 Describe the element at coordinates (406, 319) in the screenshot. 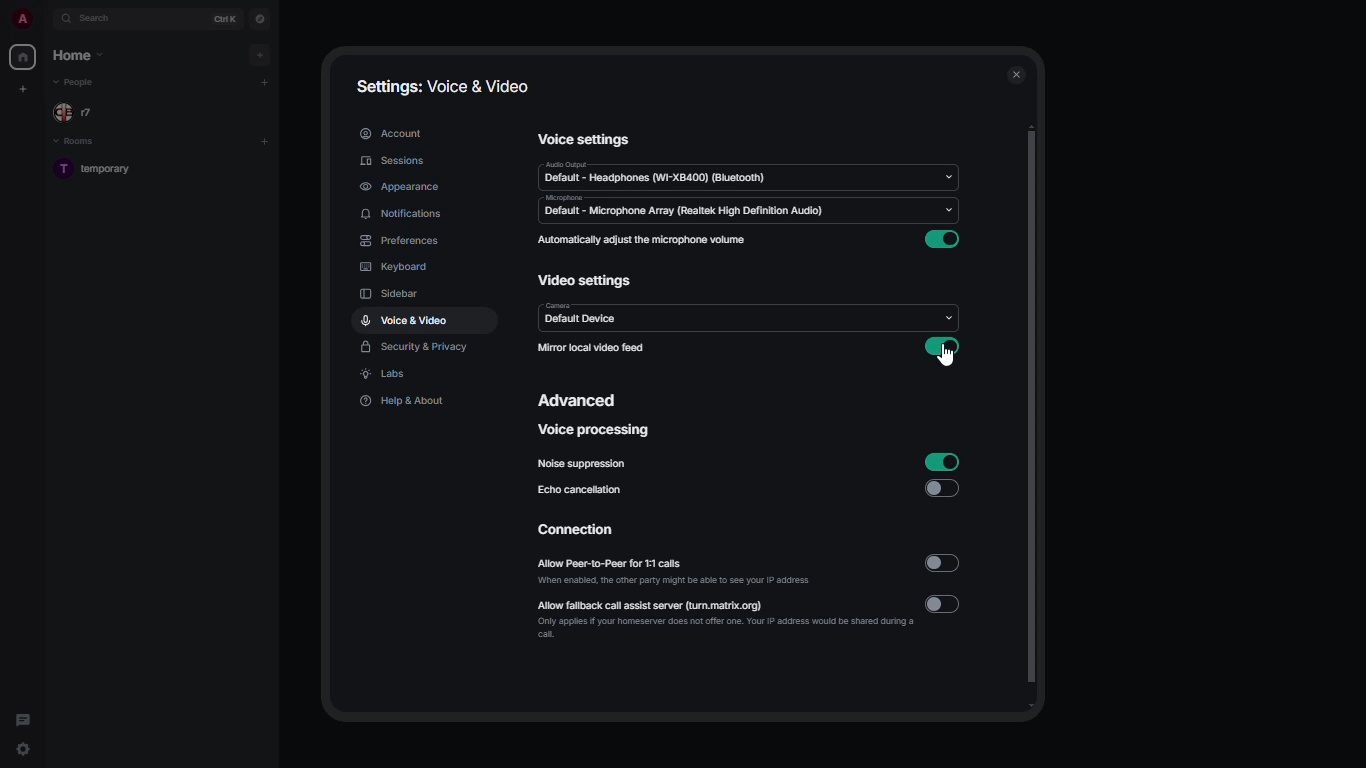

I see `voice & video` at that location.